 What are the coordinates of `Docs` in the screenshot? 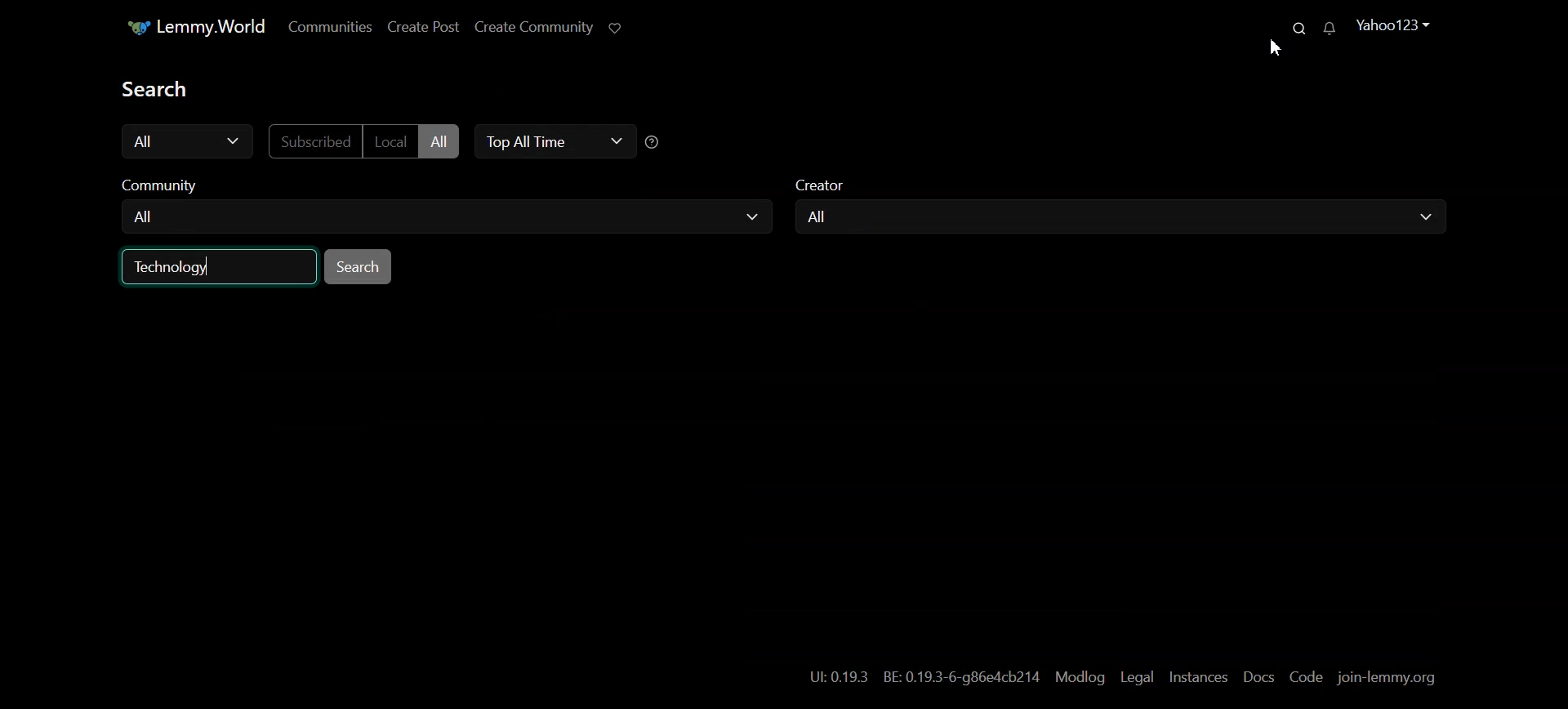 It's located at (1258, 676).